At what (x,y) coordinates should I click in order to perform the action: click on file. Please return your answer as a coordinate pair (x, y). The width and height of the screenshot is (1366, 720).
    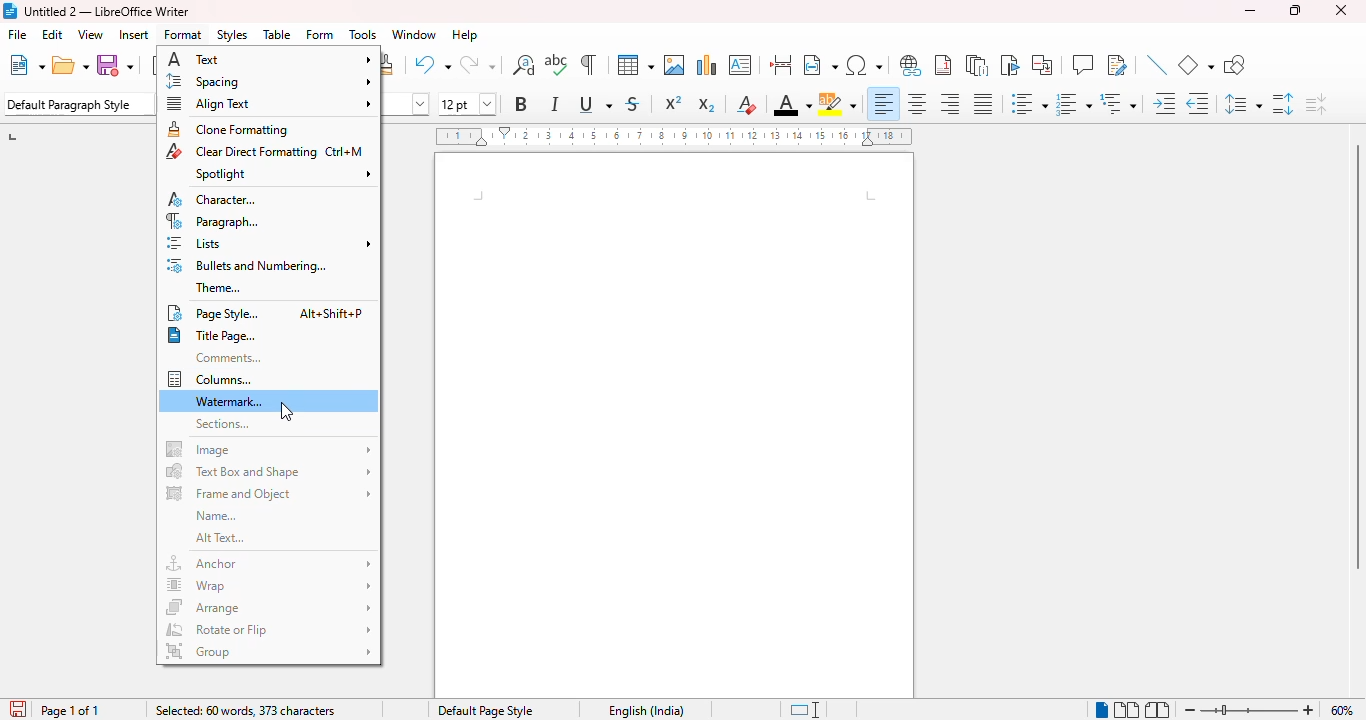
    Looking at the image, I should click on (19, 34).